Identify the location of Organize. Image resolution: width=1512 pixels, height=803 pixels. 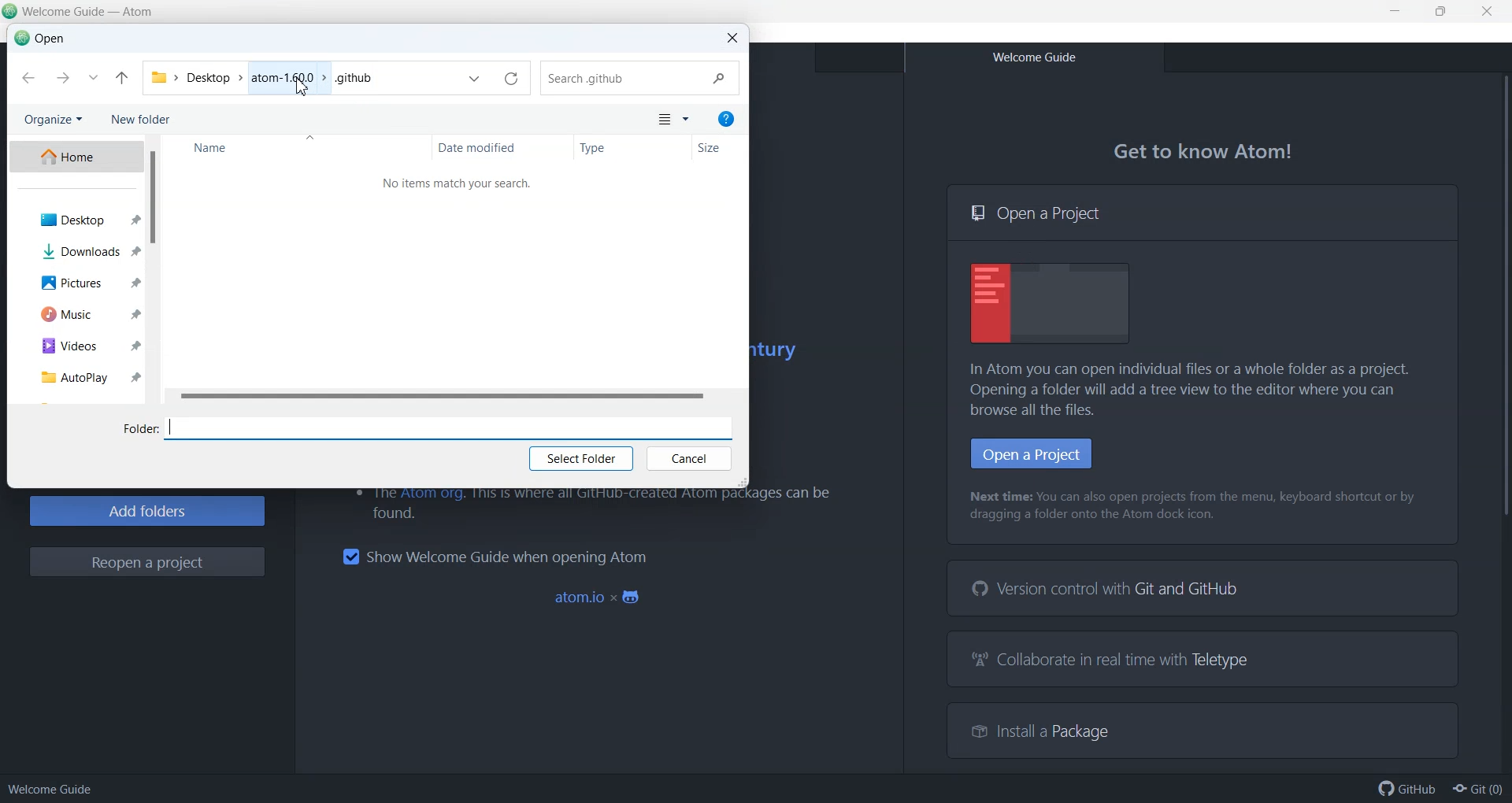
(52, 120).